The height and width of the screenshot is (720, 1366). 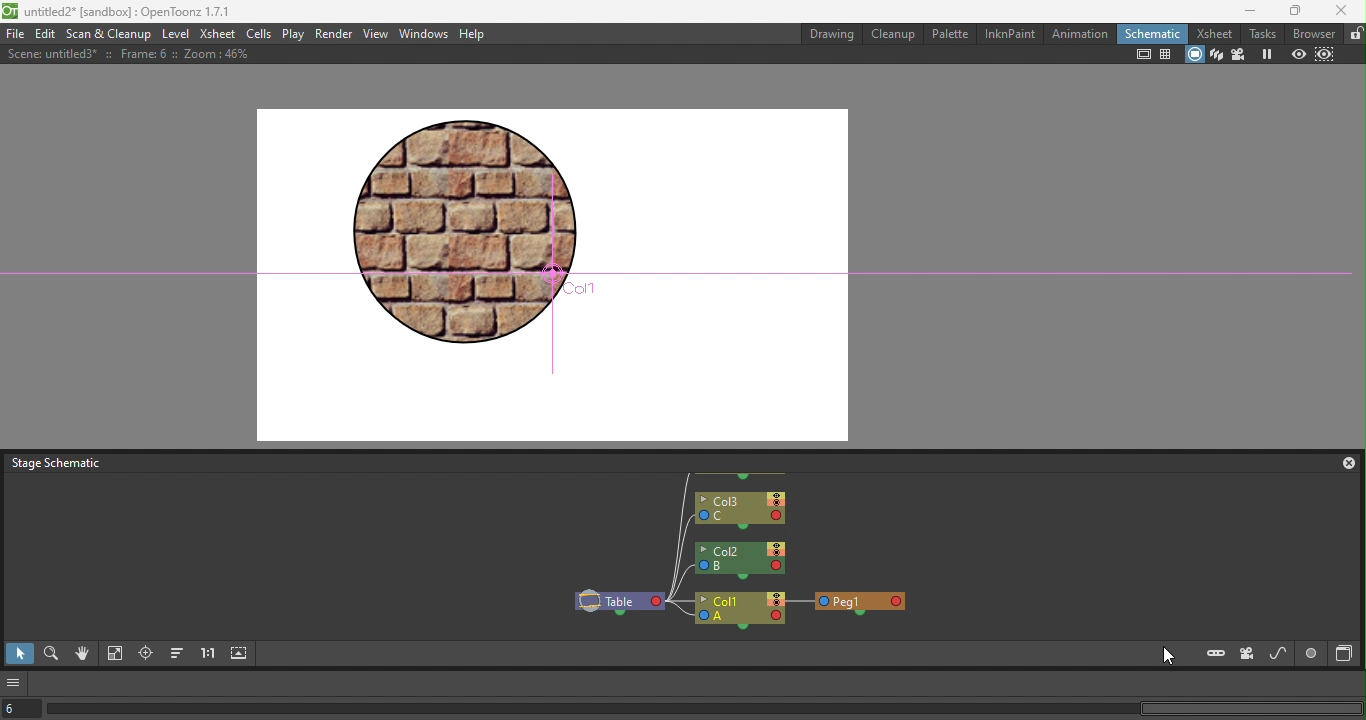 I want to click on File, so click(x=15, y=35).